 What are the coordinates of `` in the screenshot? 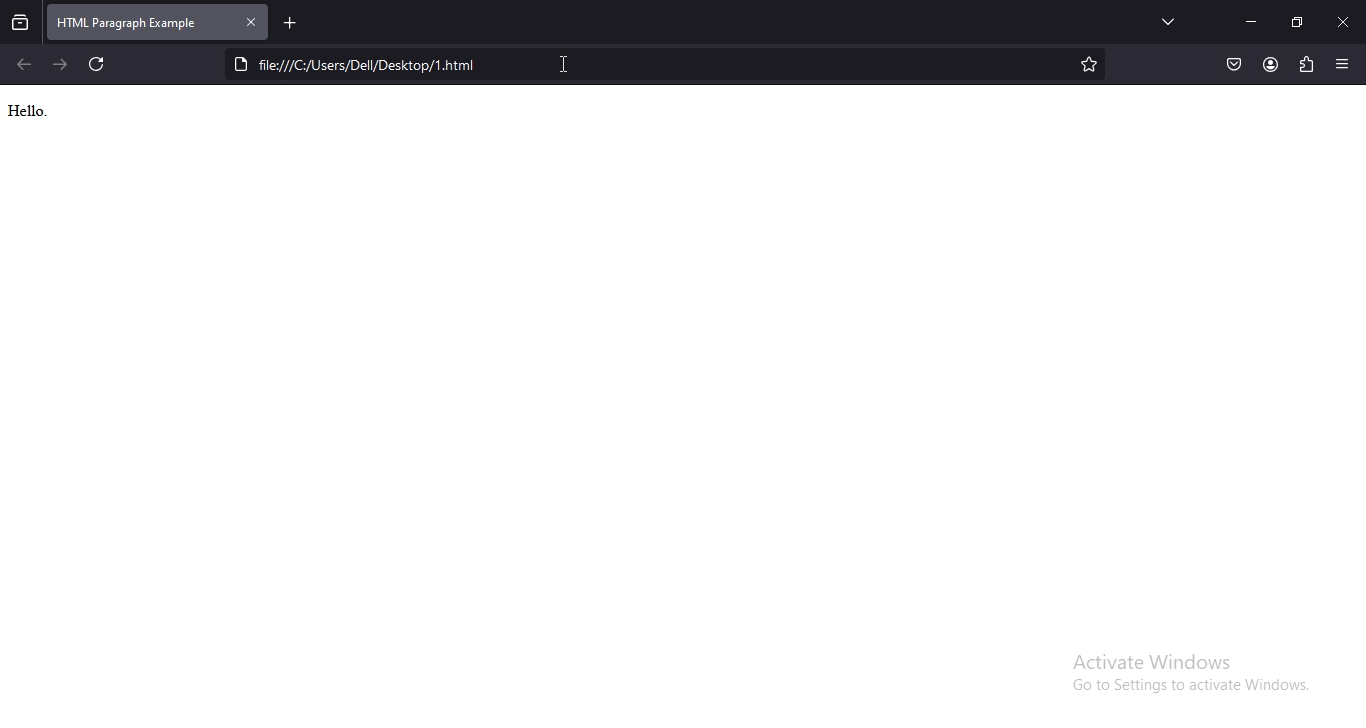 It's located at (1165, 23).